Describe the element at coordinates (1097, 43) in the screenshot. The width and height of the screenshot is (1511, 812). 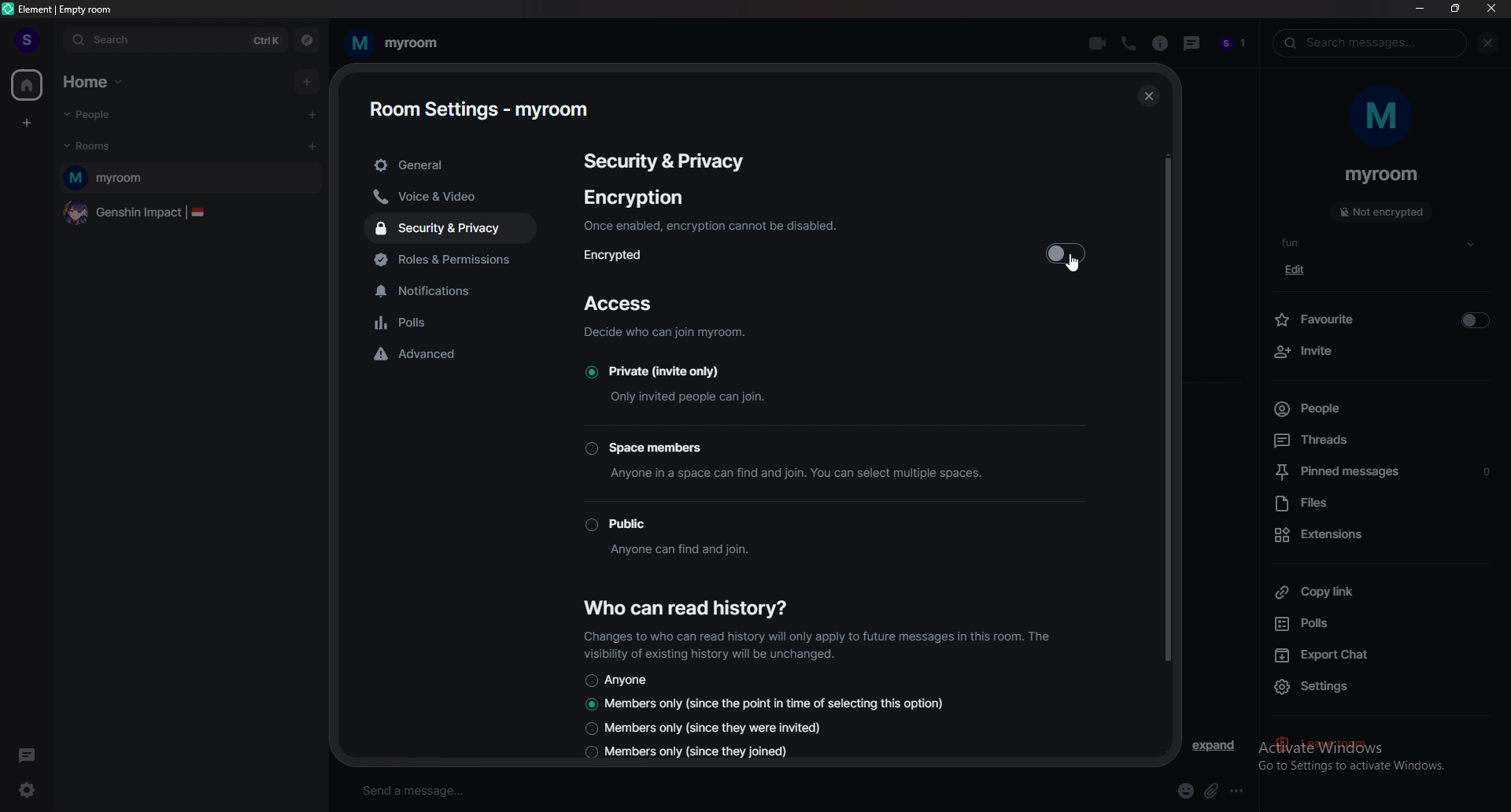
I see `video call` at that location.